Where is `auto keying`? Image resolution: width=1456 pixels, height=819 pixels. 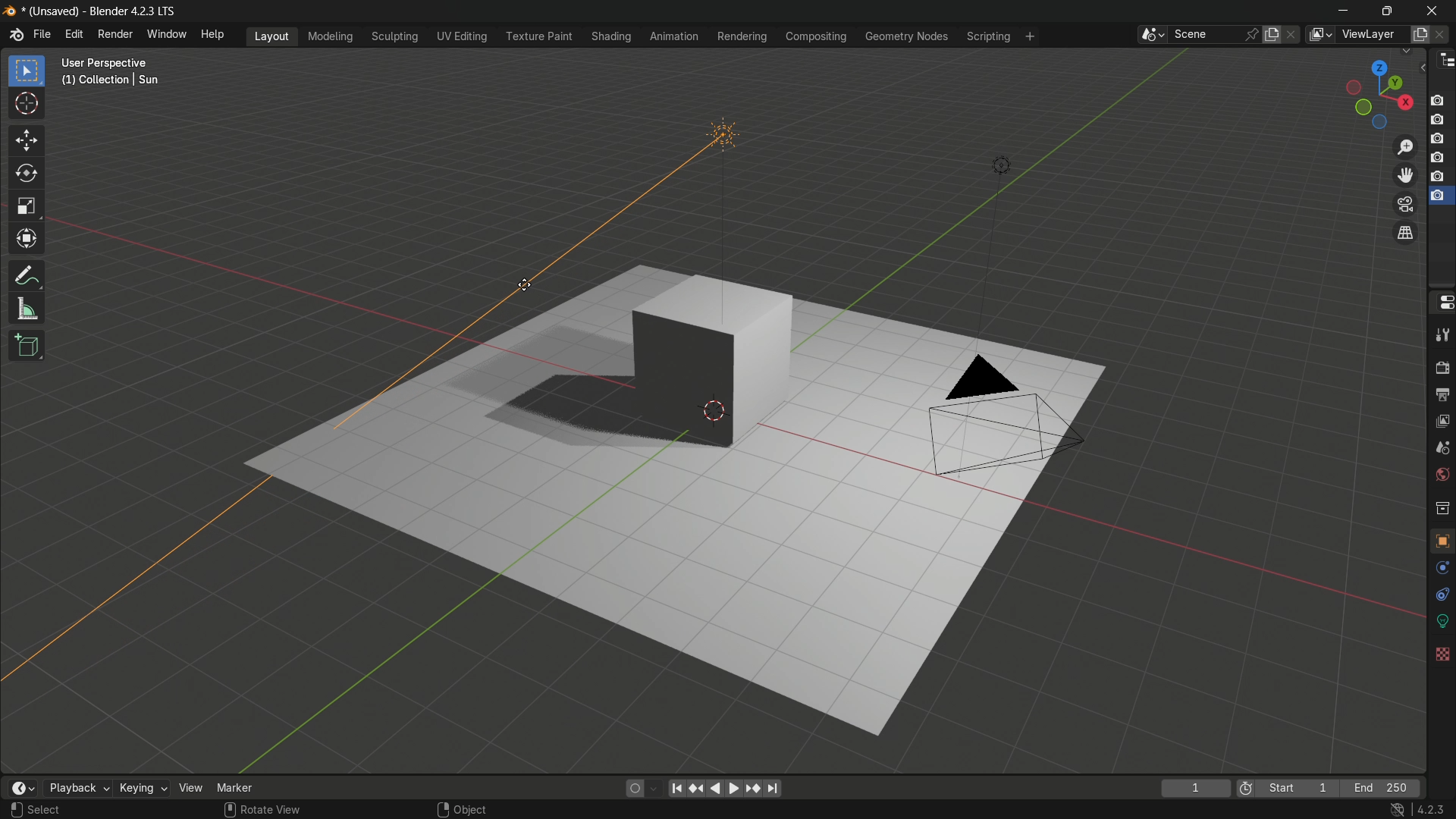 auto keying is located at coordinates (632, 789).